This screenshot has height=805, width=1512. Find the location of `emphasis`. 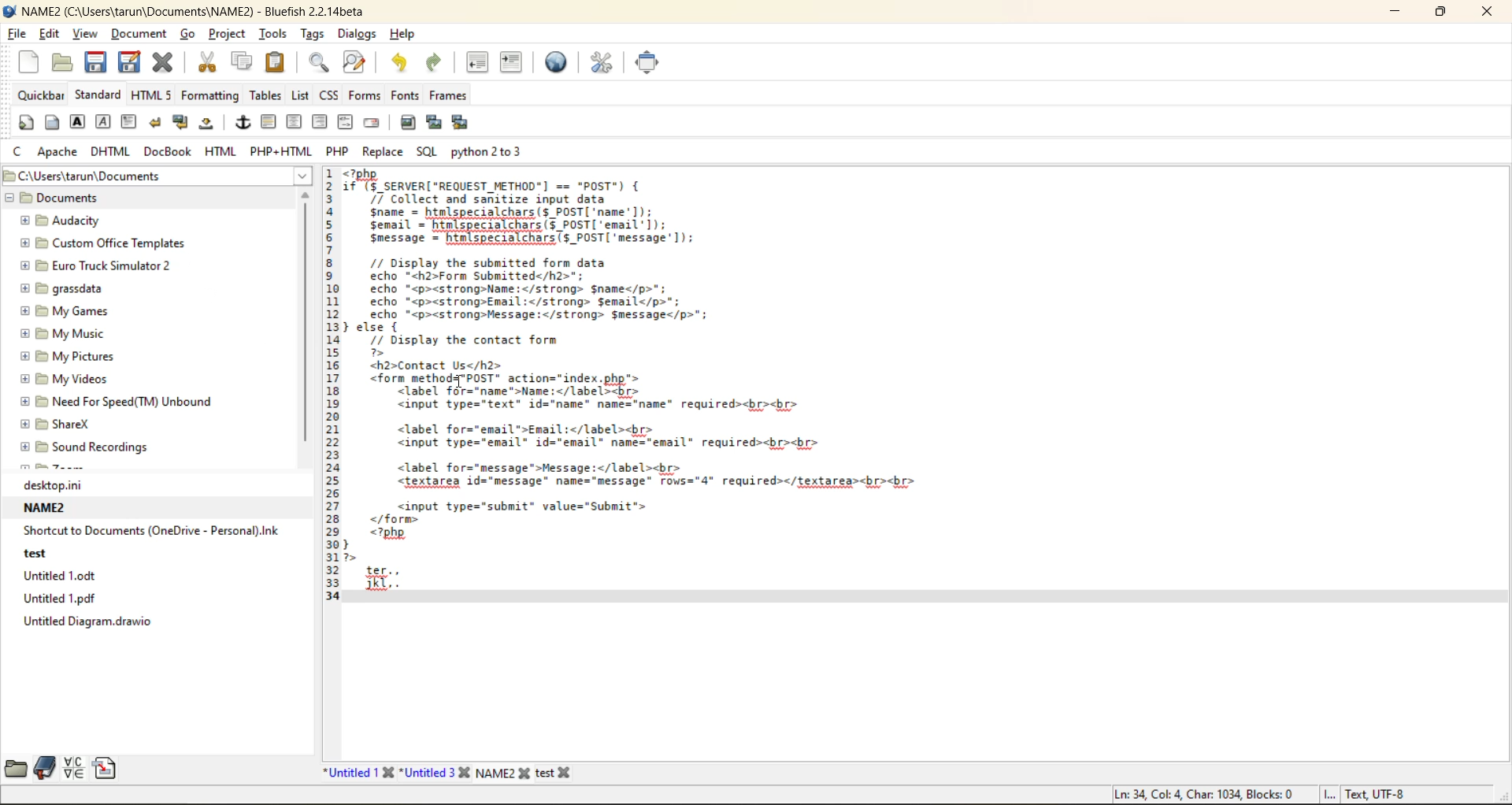

emphasis is located at coordinates (106, 122).